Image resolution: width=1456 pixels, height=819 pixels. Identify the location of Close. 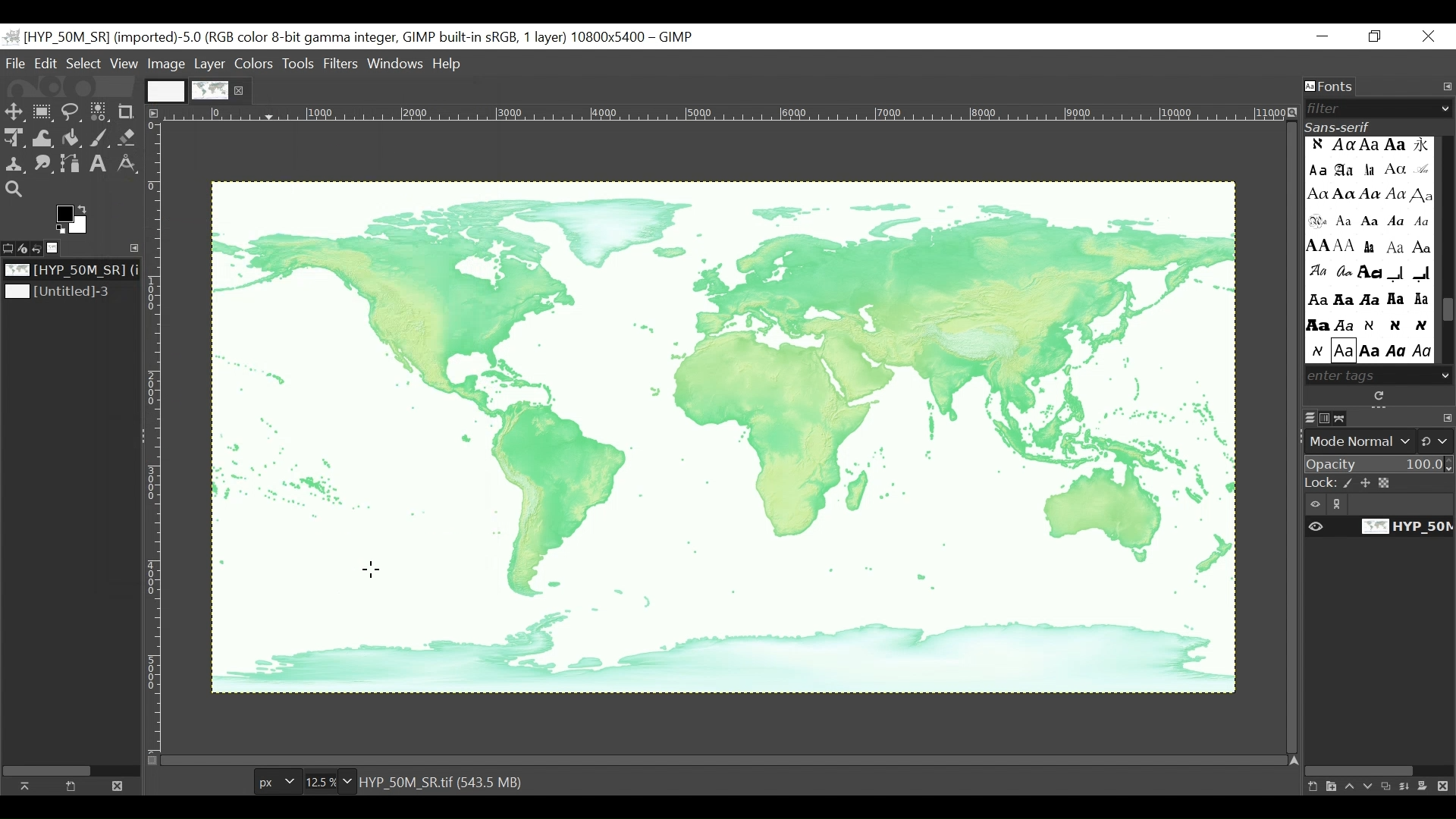
(1429, 37).